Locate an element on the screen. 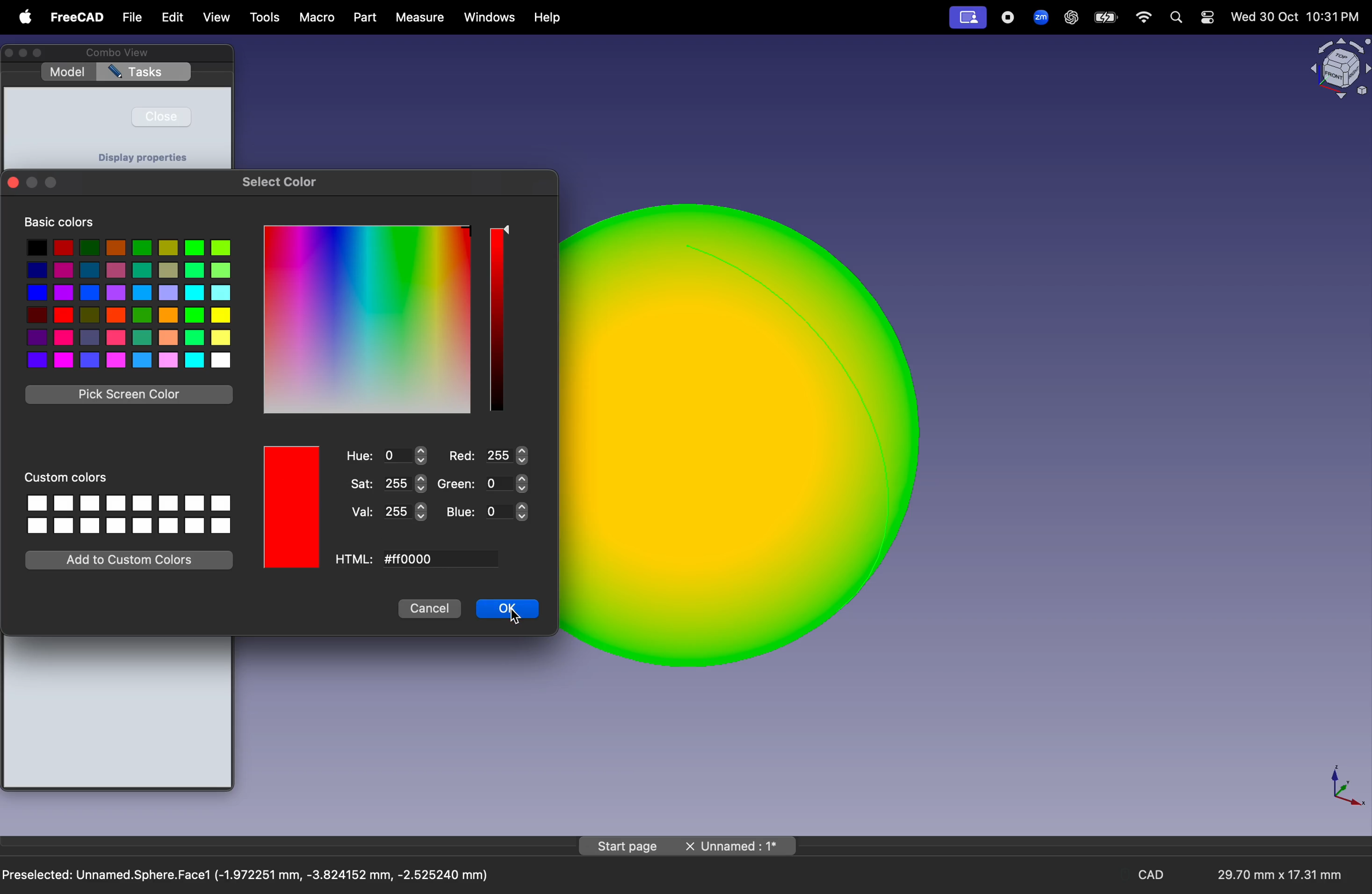 The width and height of the screenshot is (1372, 894). zoom is located at coordinates (1038, 16).